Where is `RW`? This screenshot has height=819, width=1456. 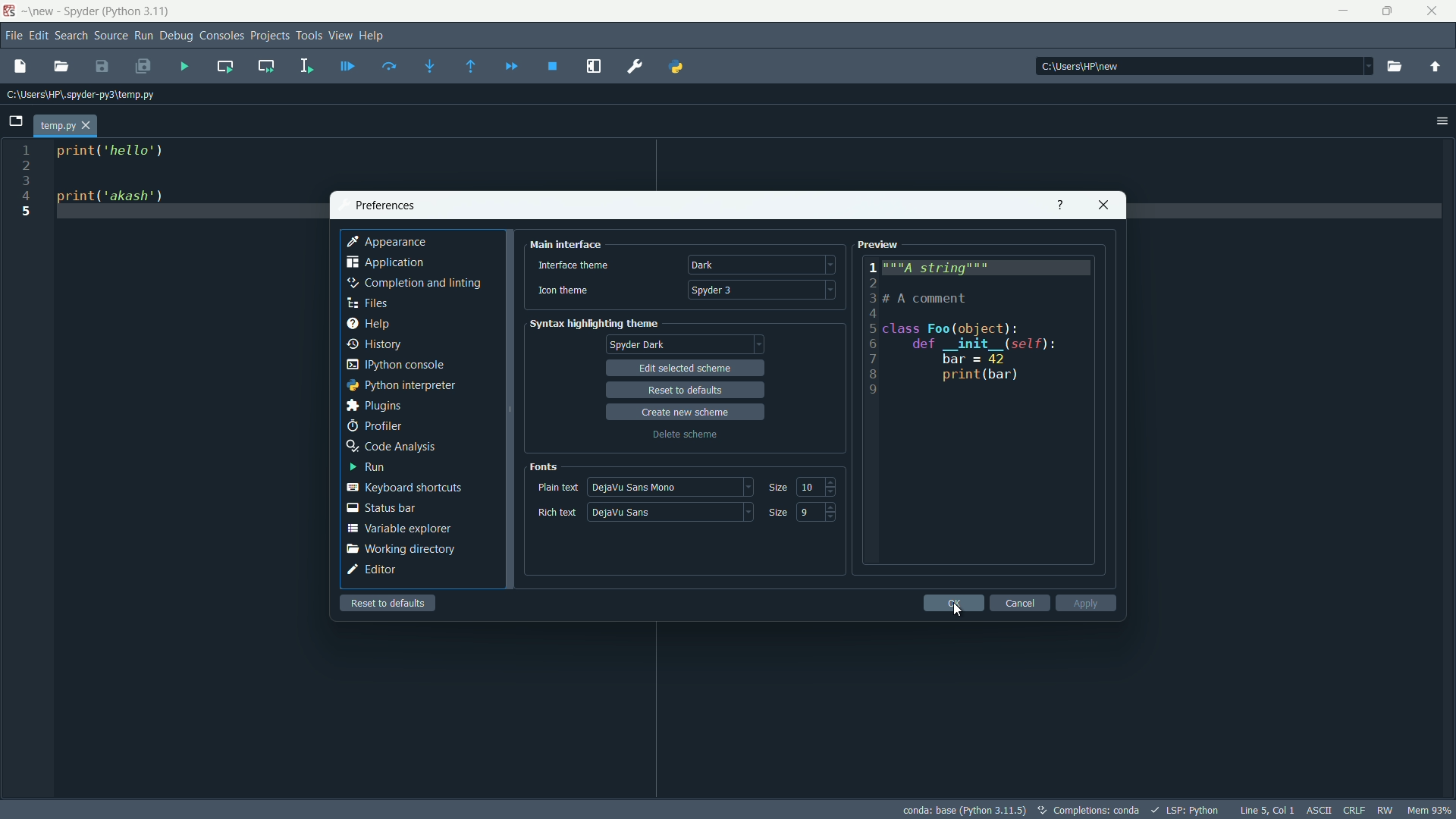
RW is located at coordinates (1384, 810).